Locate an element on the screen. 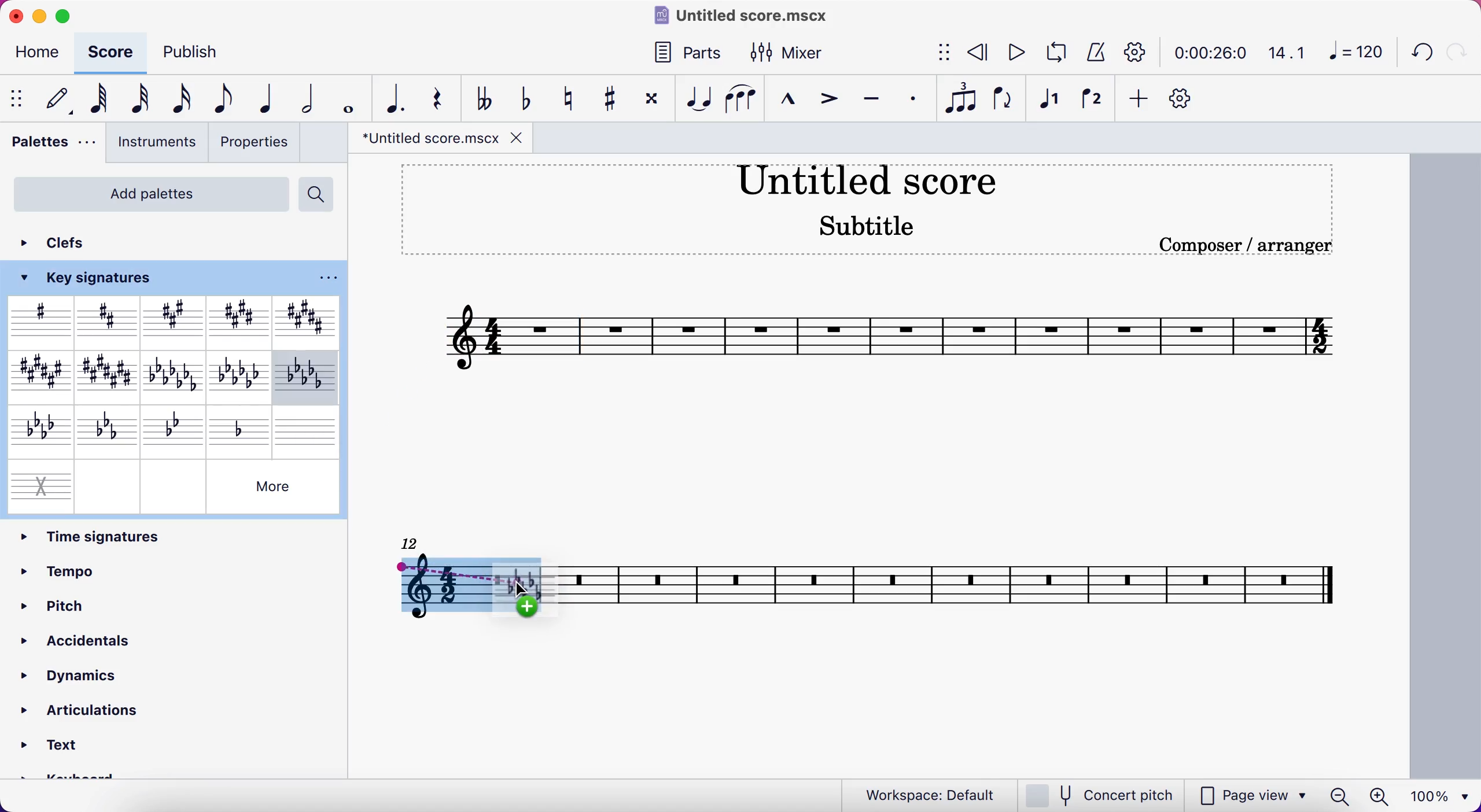 The height and width of the screenshot is (812, 1481). F minor is located at coordinates (36, 430).